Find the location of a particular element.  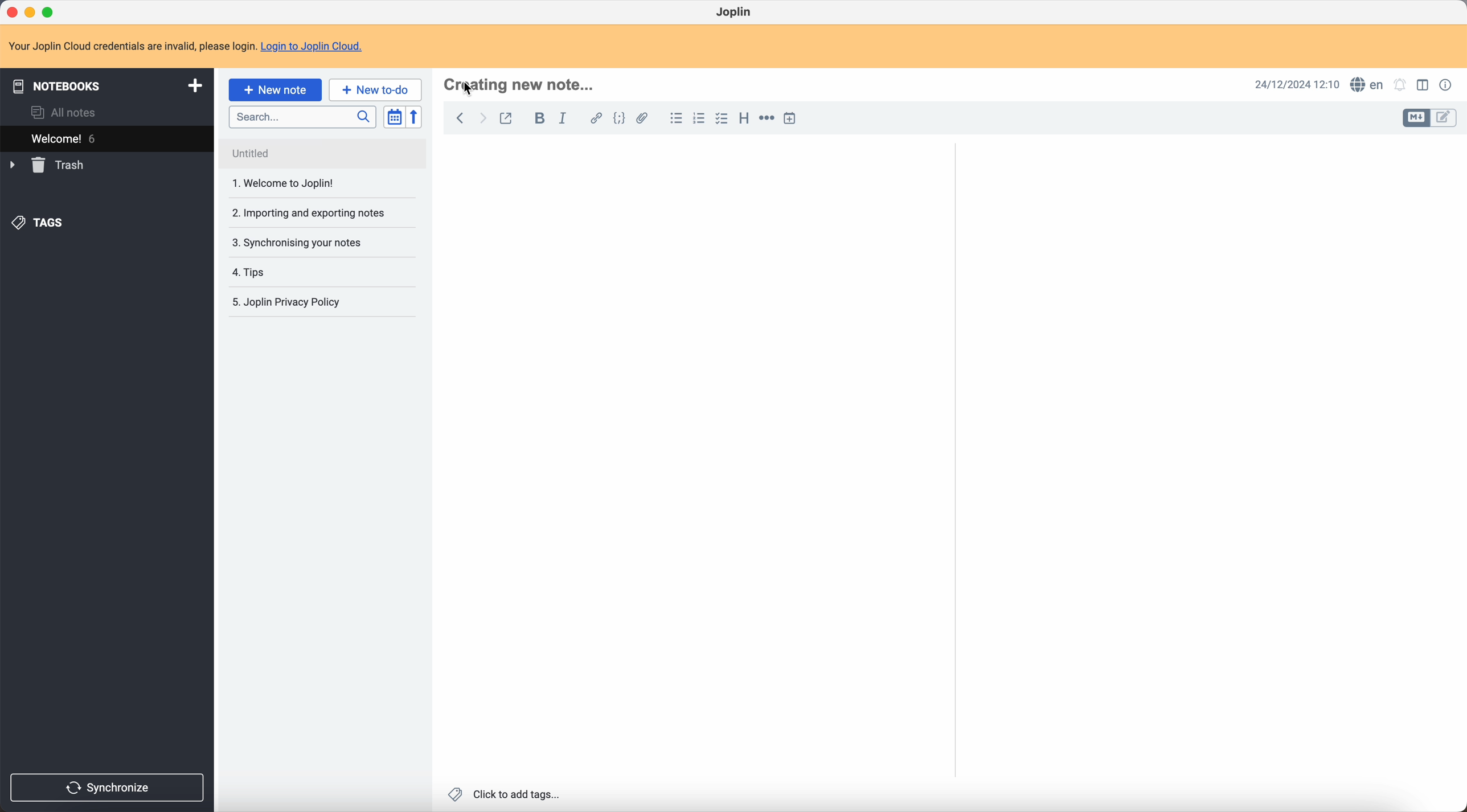

spell checker is located at coordinates (1365, 84).